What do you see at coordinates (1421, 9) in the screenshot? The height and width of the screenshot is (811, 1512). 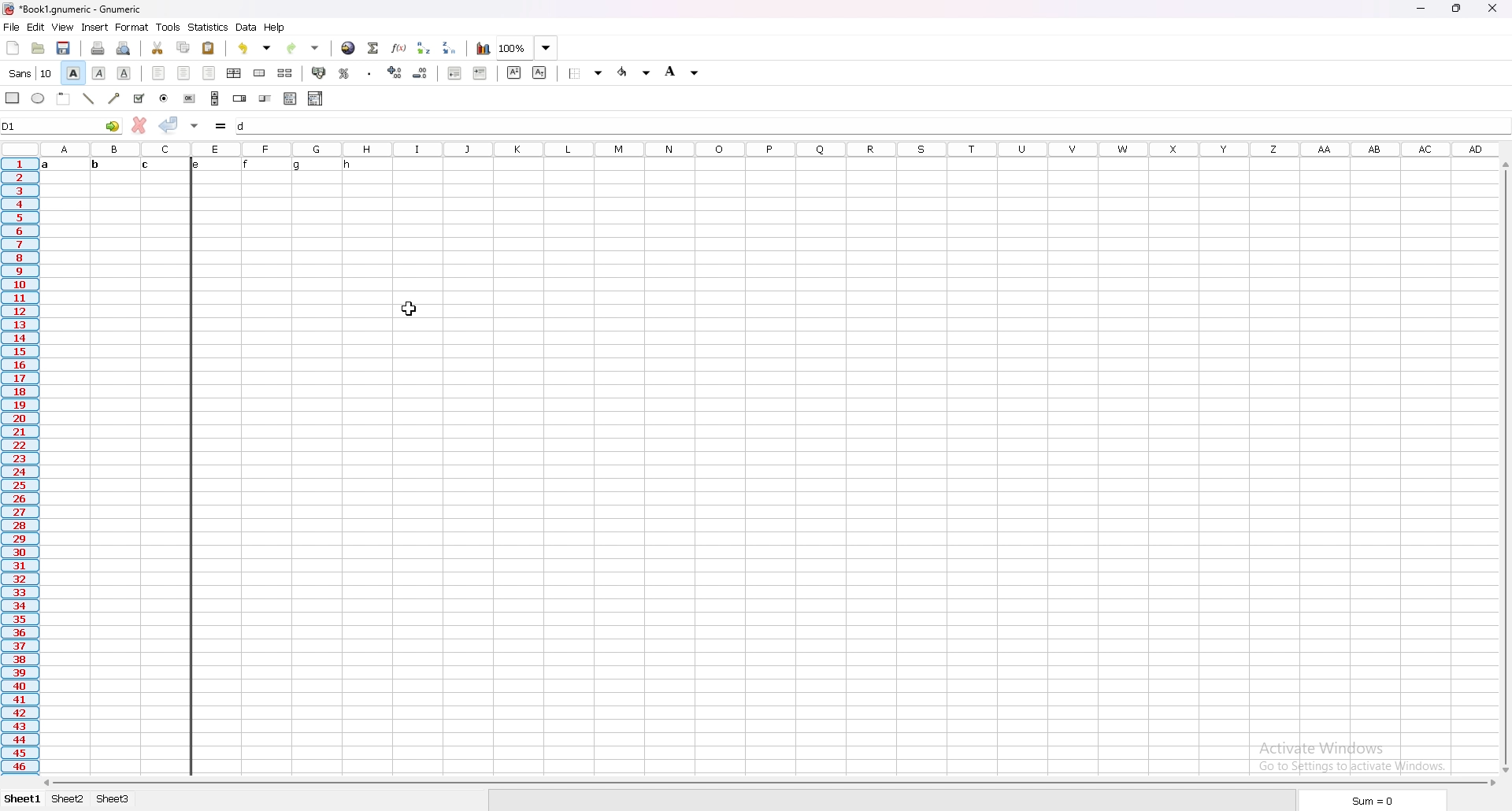 I see `minimize` at bounding box center [1421, 9].